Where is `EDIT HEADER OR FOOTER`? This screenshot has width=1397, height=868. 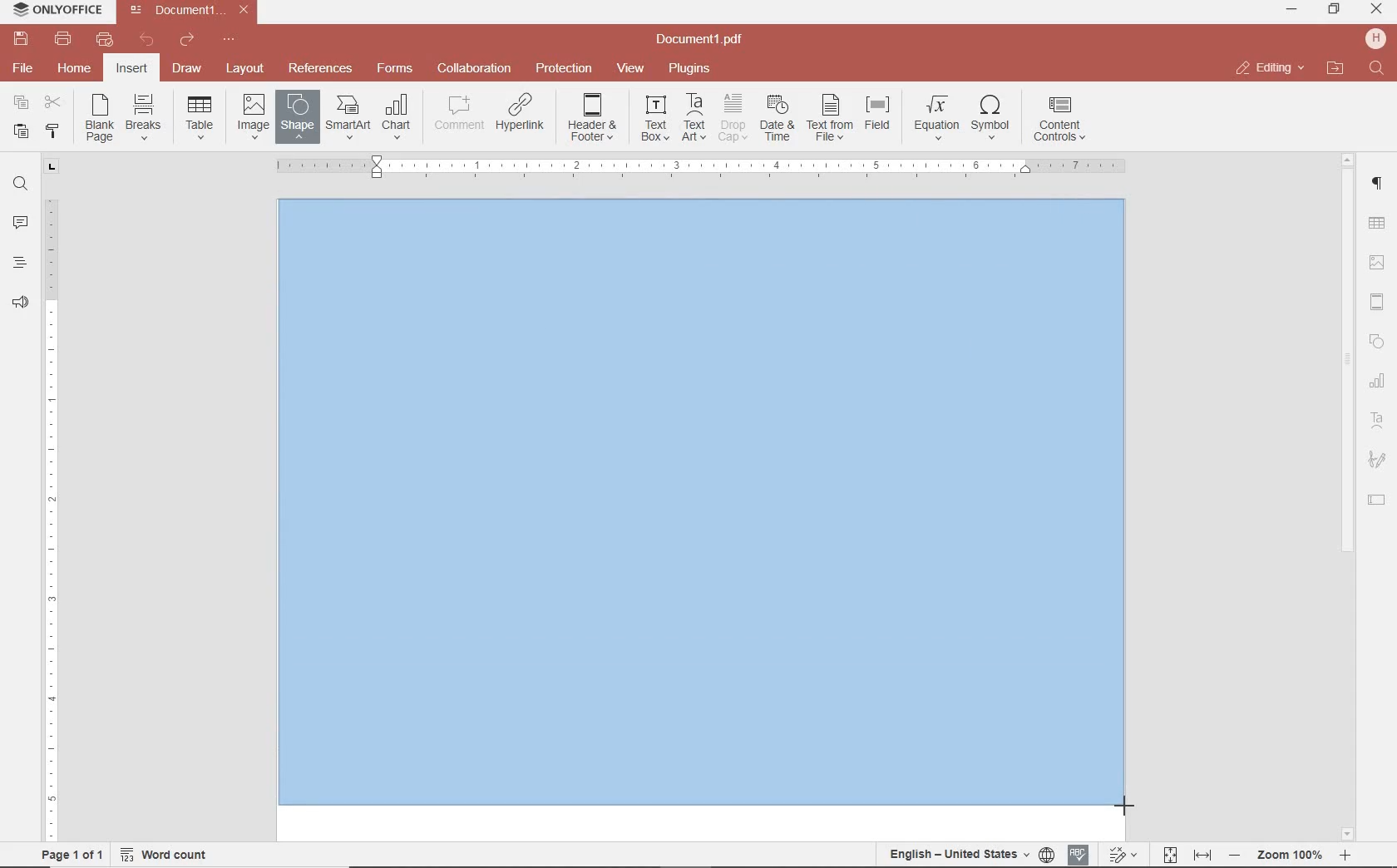 EDIT HEADER OR FOOTER is located at coordinates (594, 118).